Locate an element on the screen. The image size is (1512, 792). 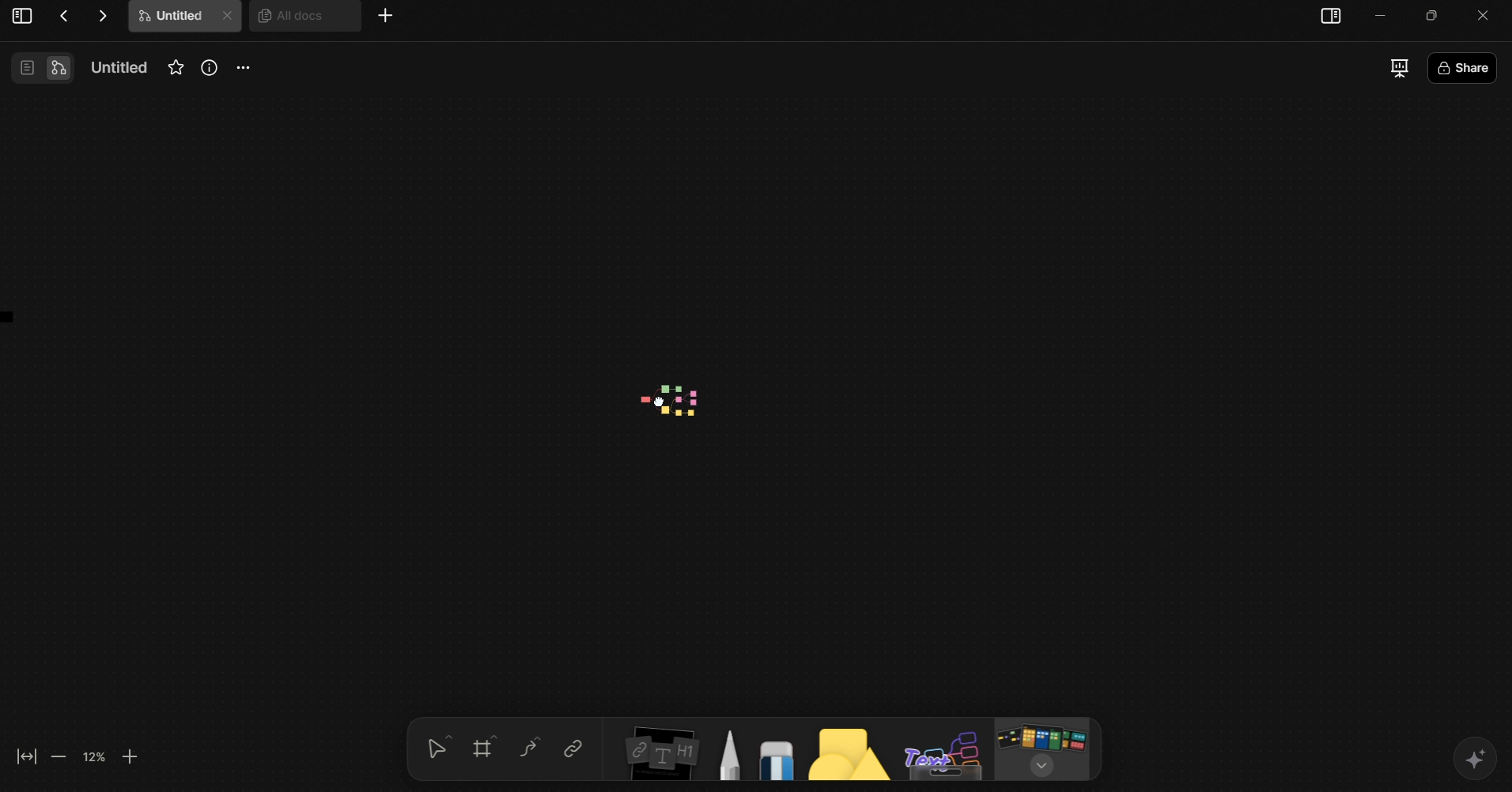
Pen Tool is located at coordinates (729, 753).